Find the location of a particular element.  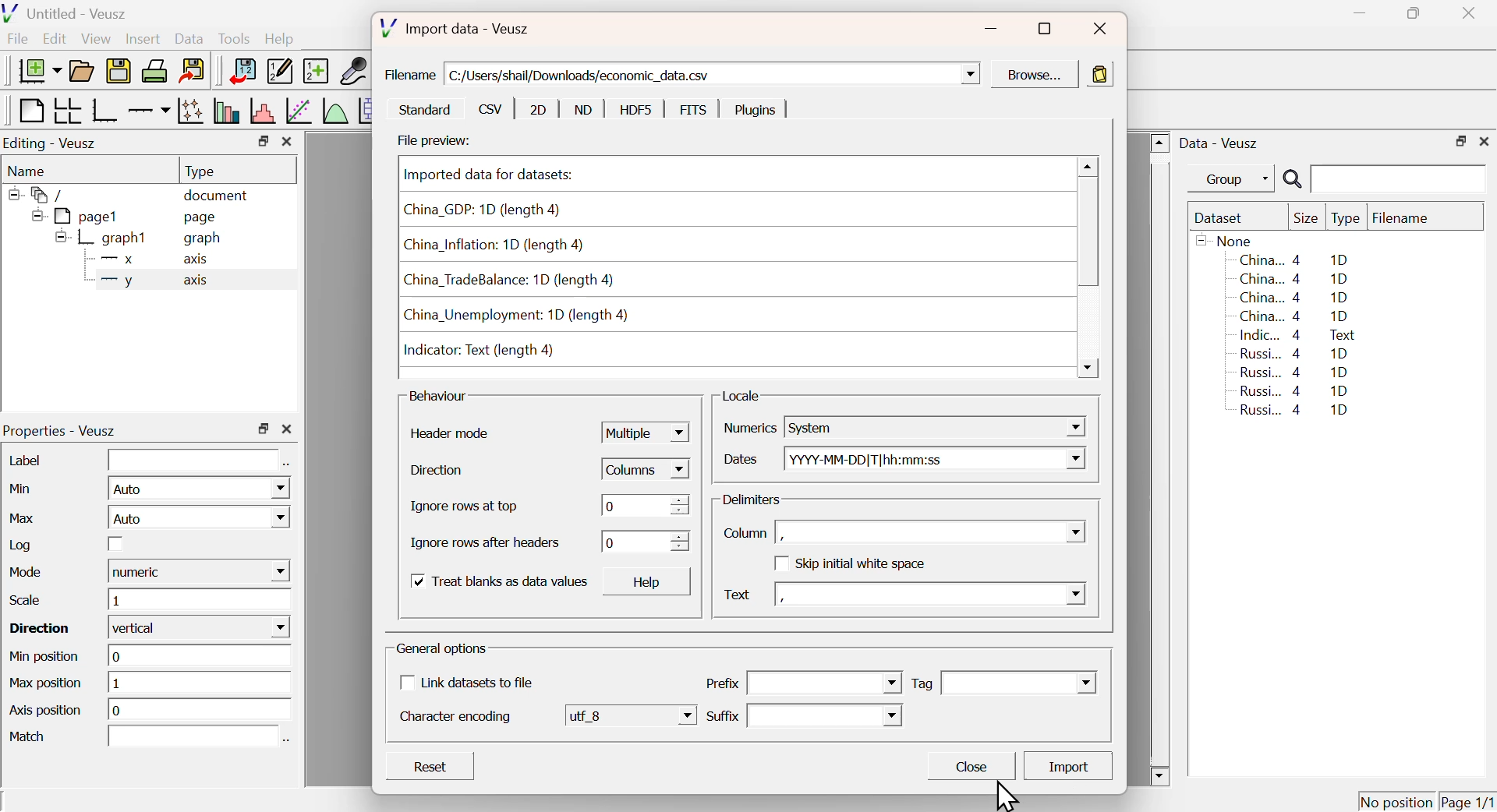

Restore Down is located at coordinates (1411, 13).